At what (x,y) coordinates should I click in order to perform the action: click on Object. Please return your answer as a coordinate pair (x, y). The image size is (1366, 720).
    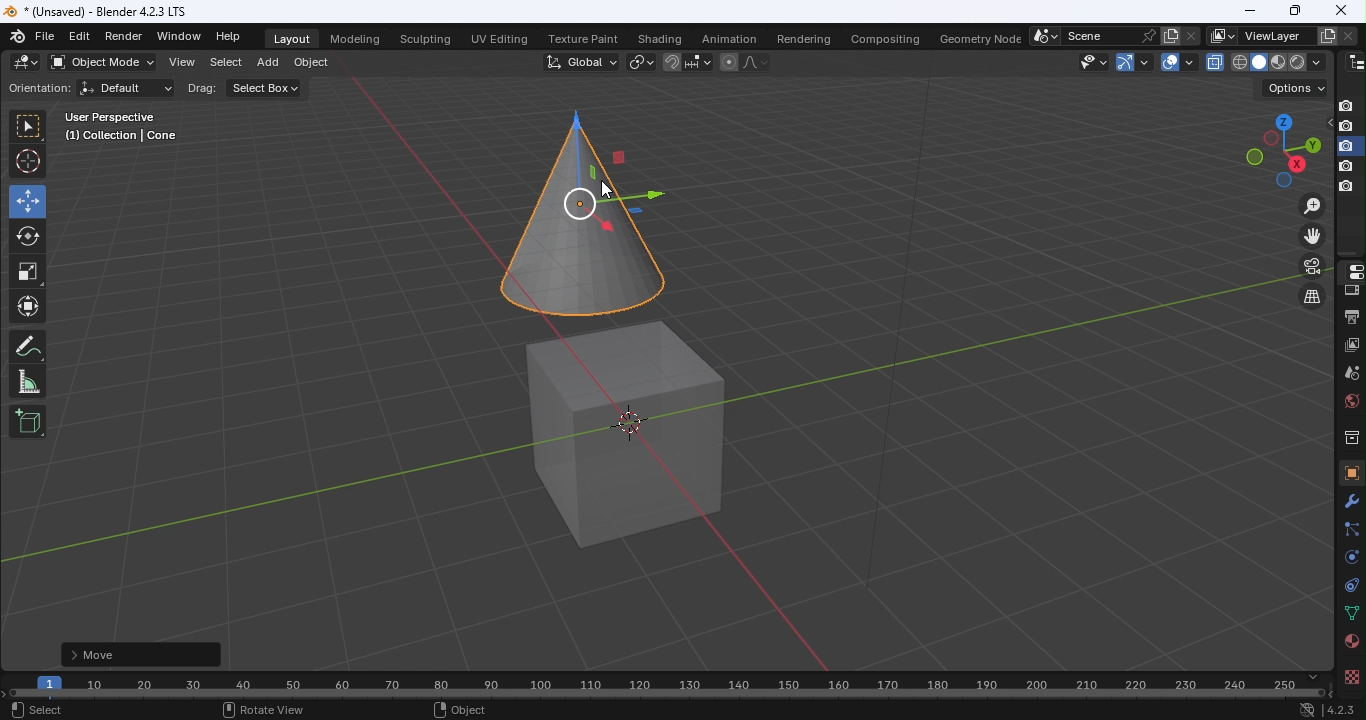
    Looking at the image, I should click on (1349, 472).